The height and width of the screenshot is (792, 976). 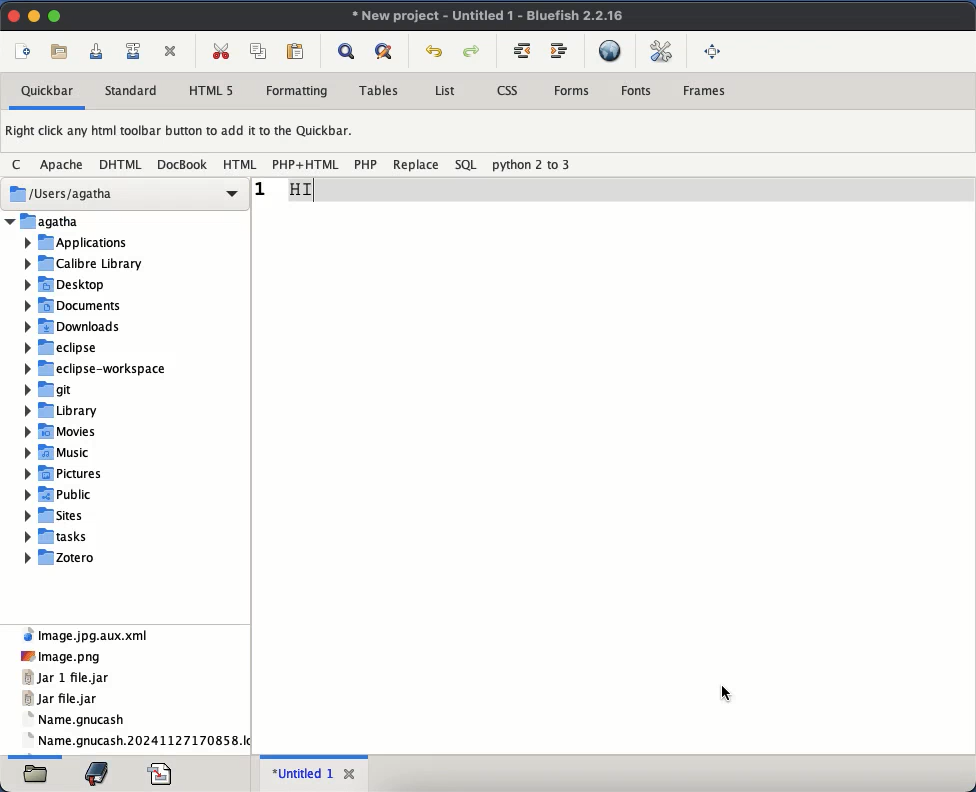 What do you see at coordinates (56, 15) in the screenshot?
I see `maximize` at bounding box center [56, 15].